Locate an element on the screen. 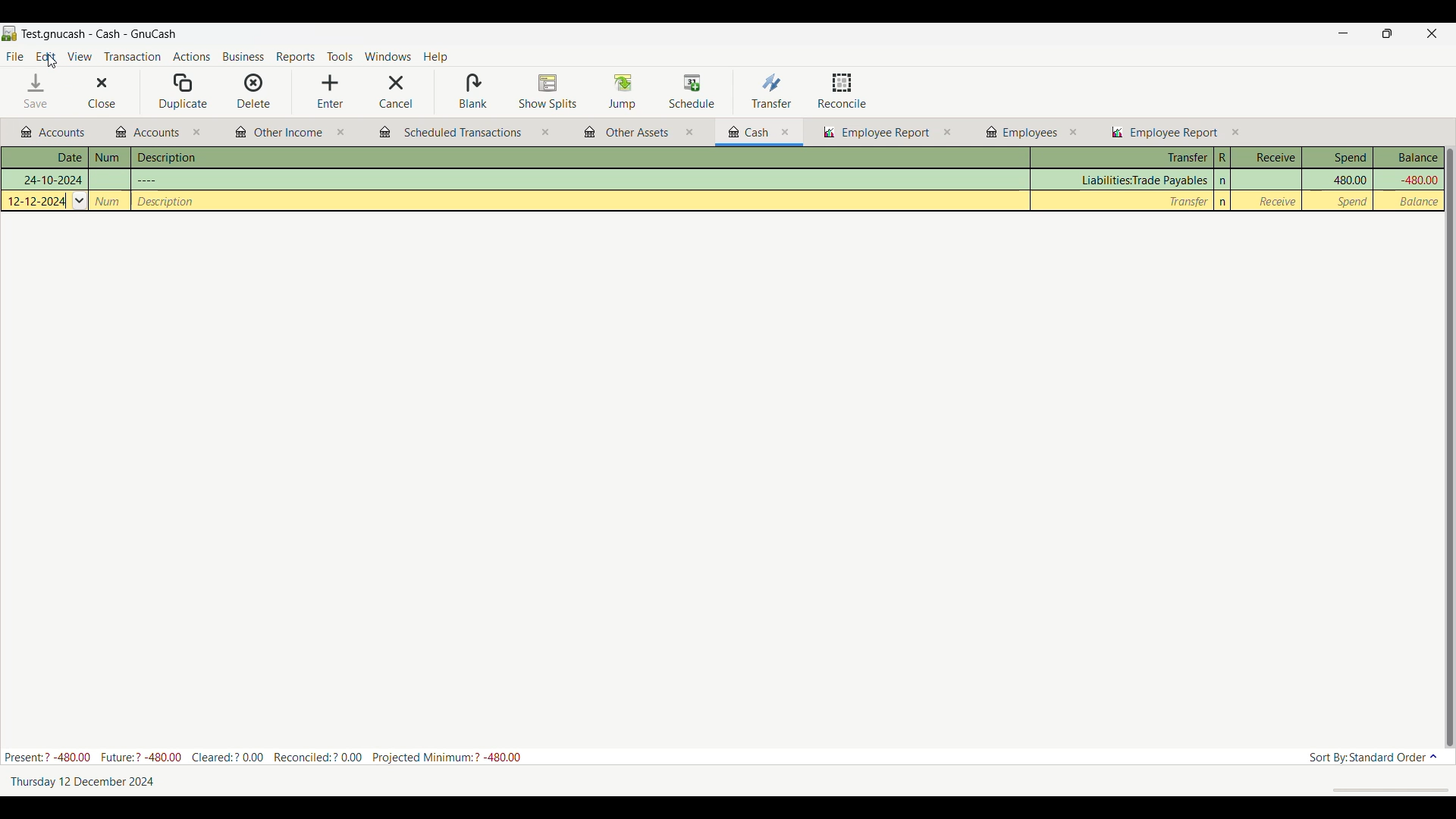  File menu is located at coordinates (14, 57).